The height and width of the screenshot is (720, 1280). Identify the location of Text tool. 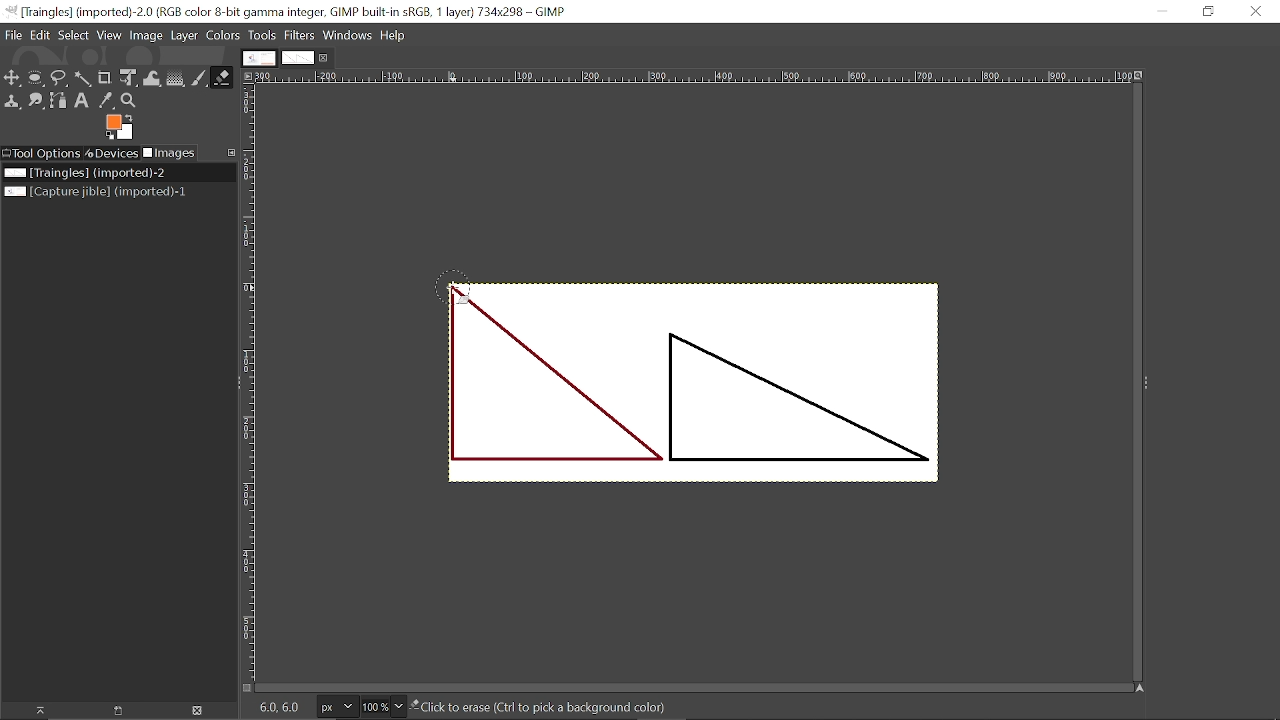
(82, 102).